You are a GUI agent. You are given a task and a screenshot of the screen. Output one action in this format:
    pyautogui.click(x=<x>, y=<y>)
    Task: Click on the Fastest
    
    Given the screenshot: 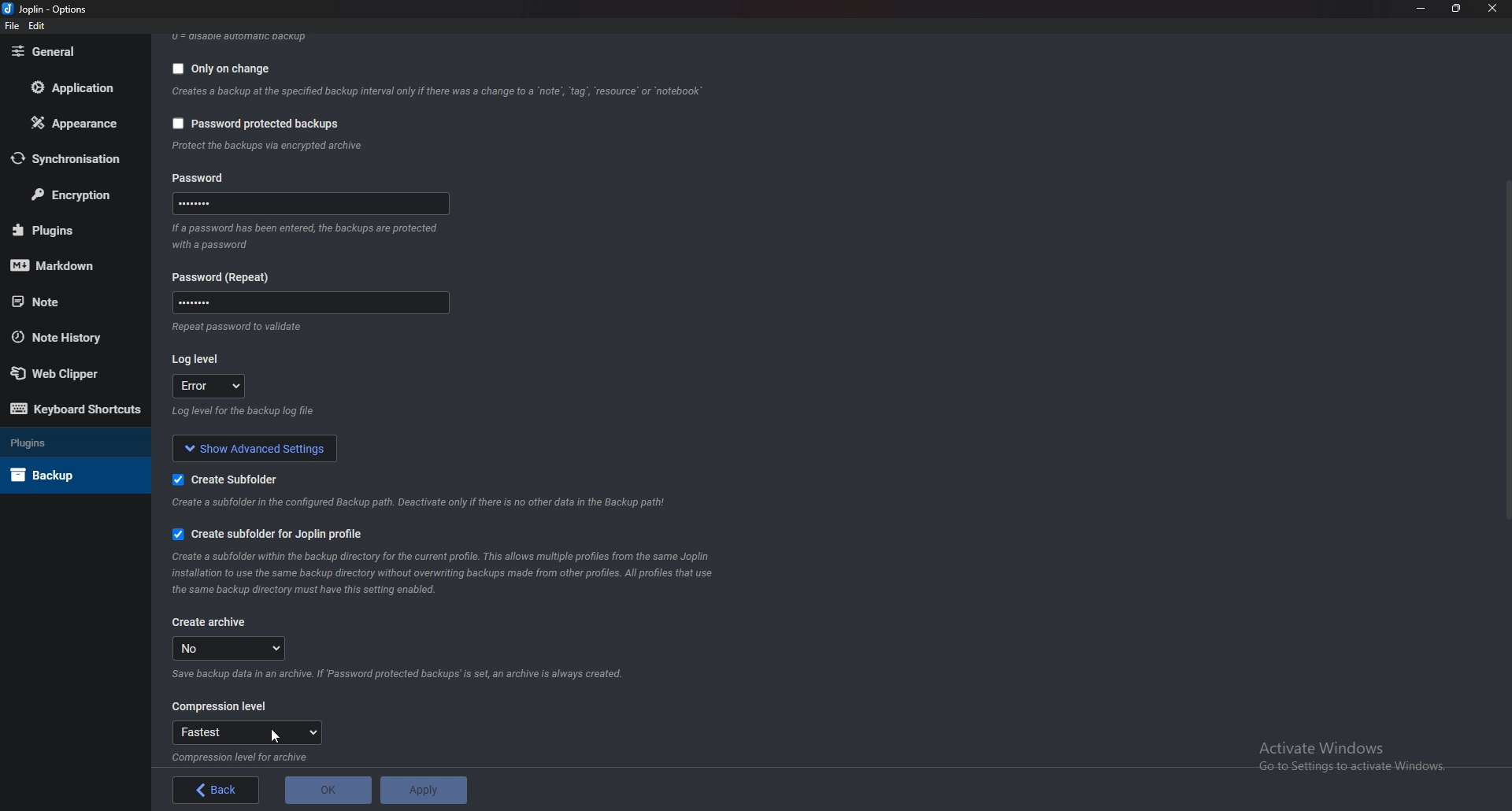 What is the action you would take?
    pyautogui.click(x=248, y=733)
    